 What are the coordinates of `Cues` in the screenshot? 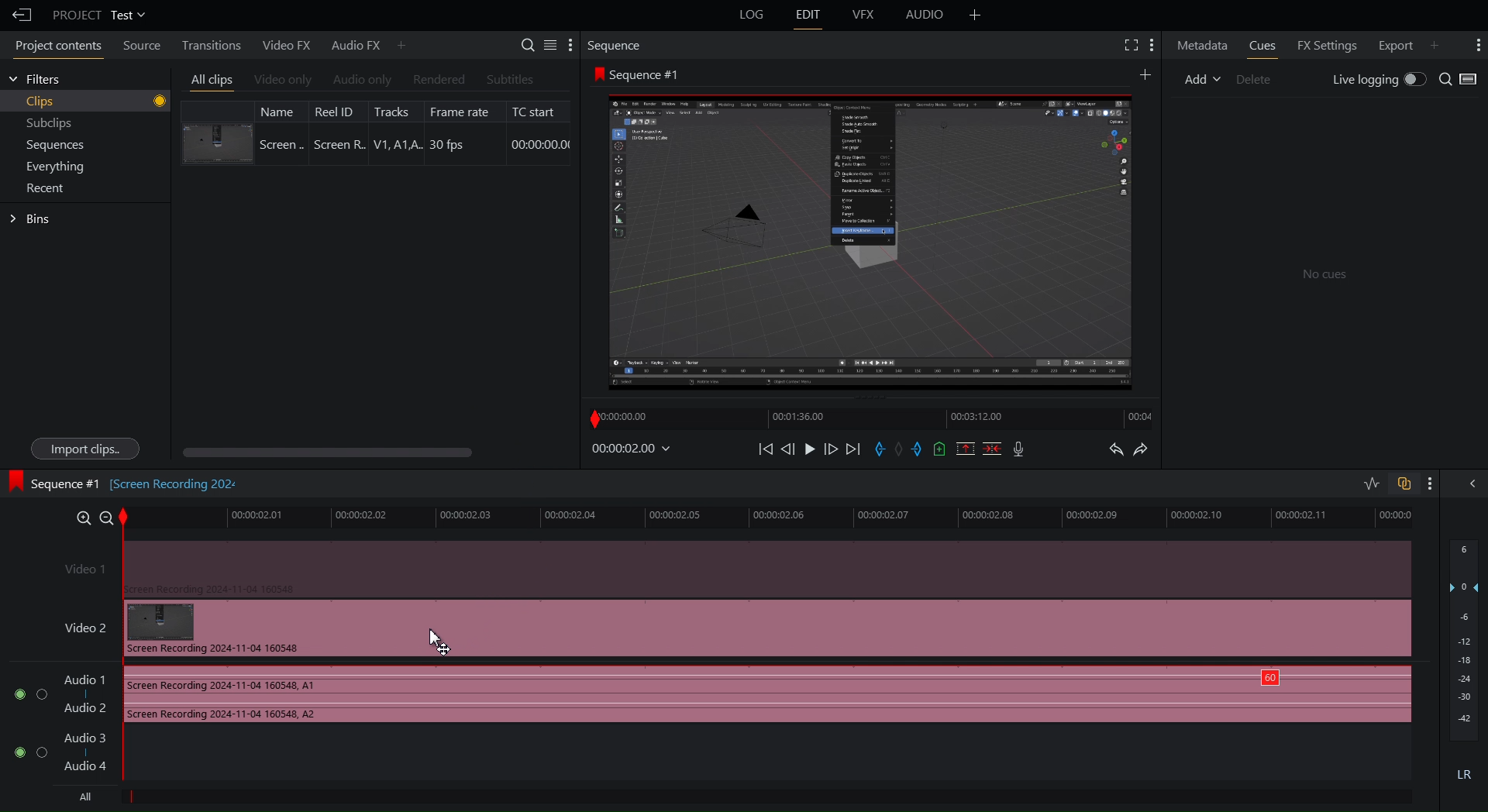 It's located at (1265, 45).